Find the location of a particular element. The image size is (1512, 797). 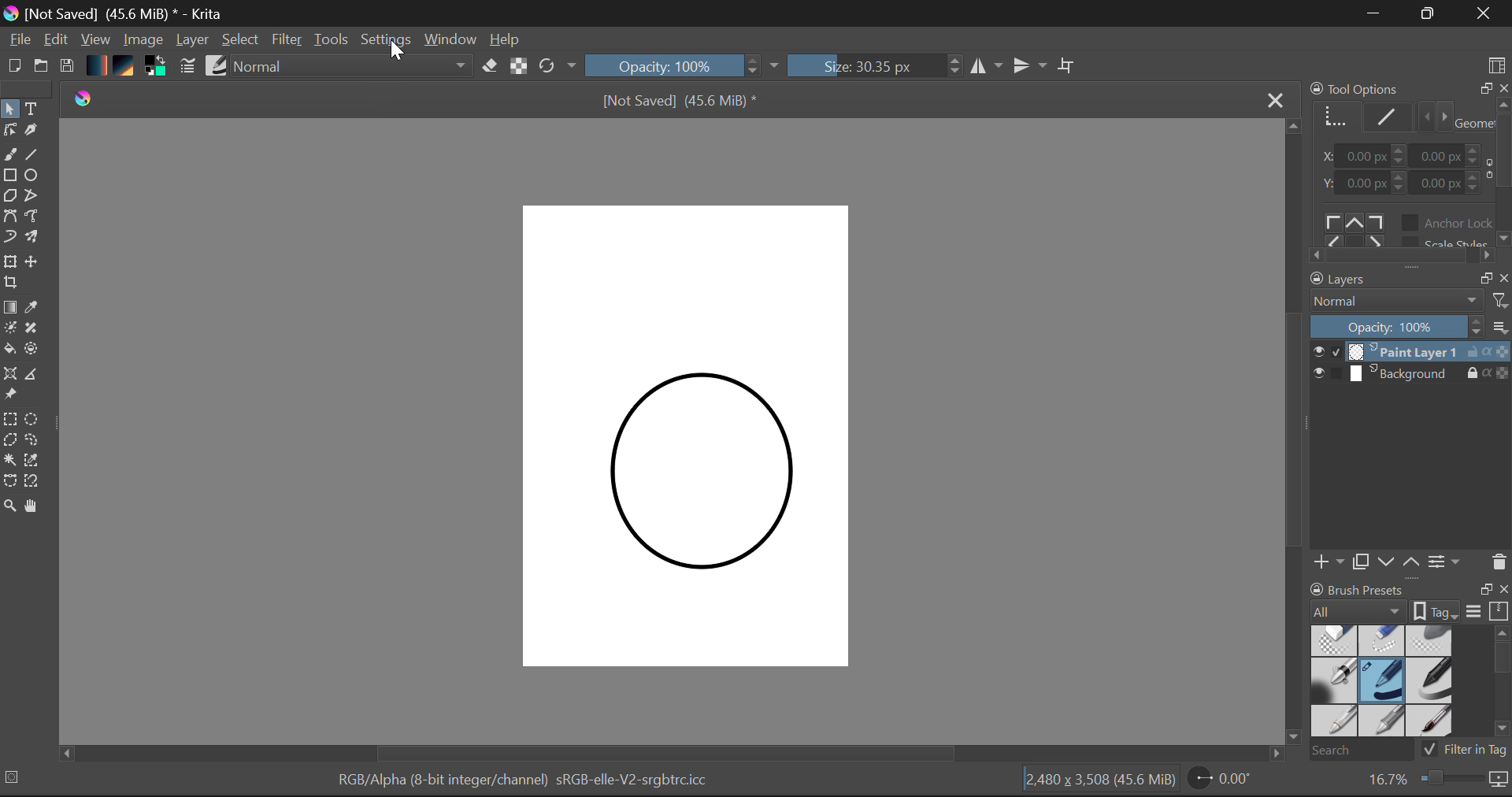

Docket Scroll Bar is located at coordinates (1502, 682).